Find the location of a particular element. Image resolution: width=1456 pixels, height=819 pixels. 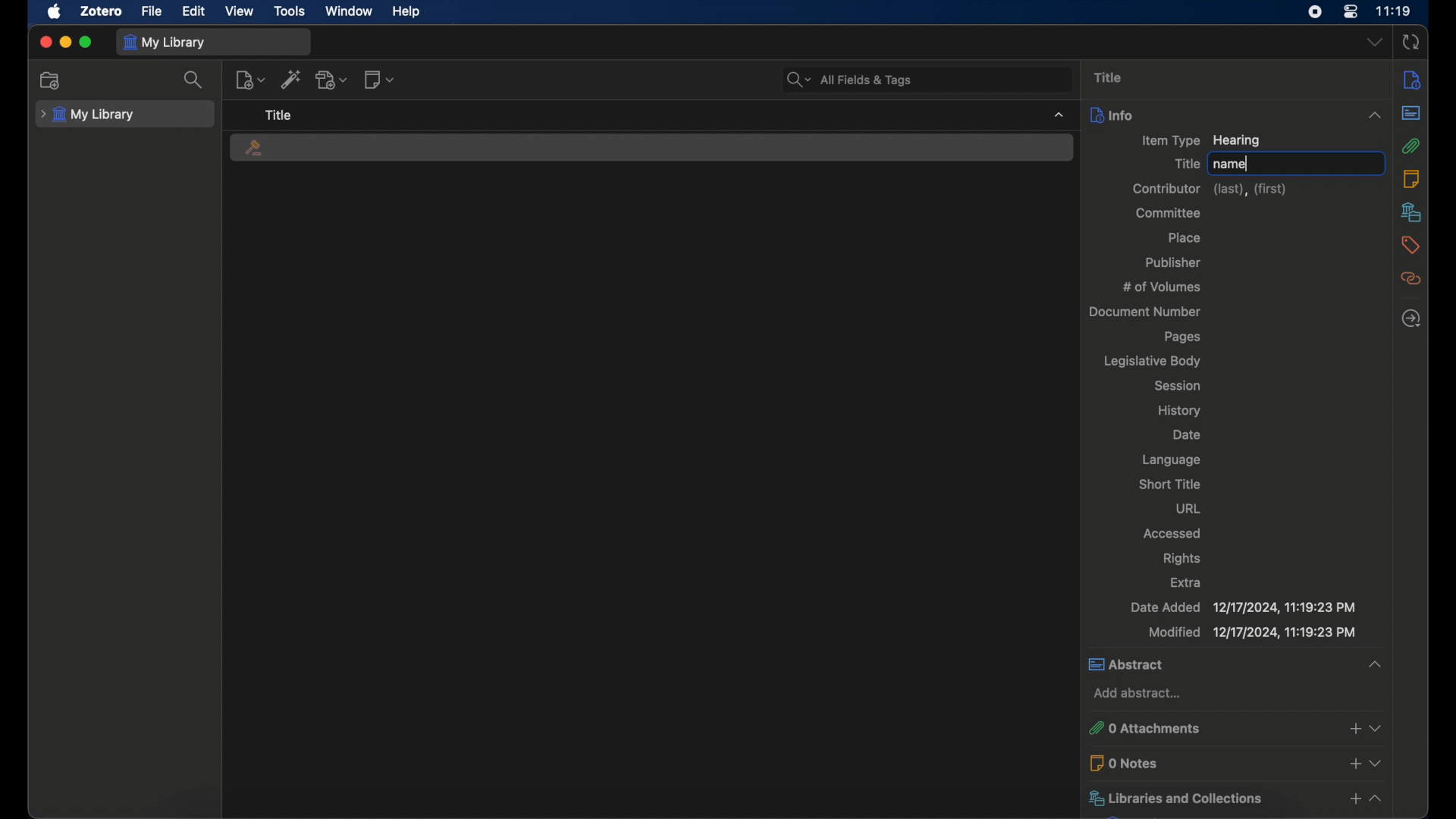

title is located at coordinates (1185, 164).